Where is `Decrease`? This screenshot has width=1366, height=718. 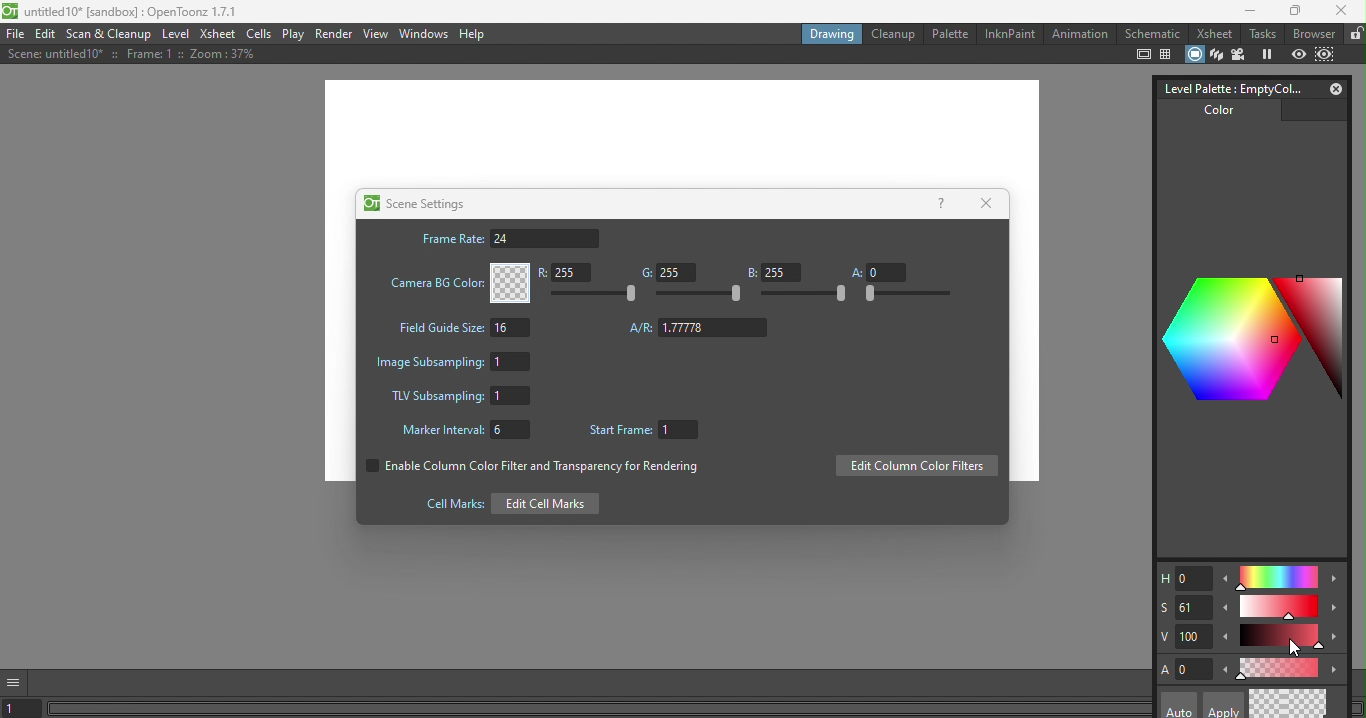 Decrease is located at coordinates (1227, 639).